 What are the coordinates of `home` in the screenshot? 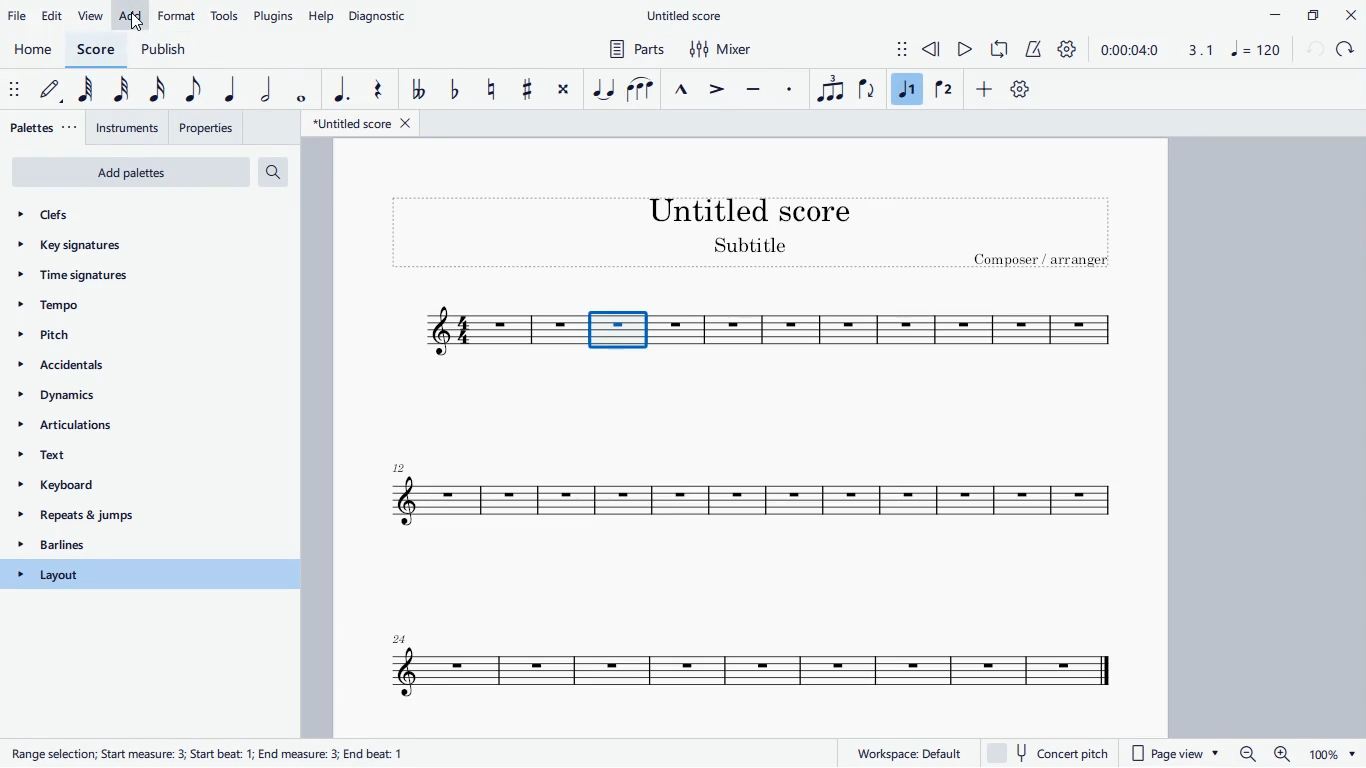 It's located at (34, 51).